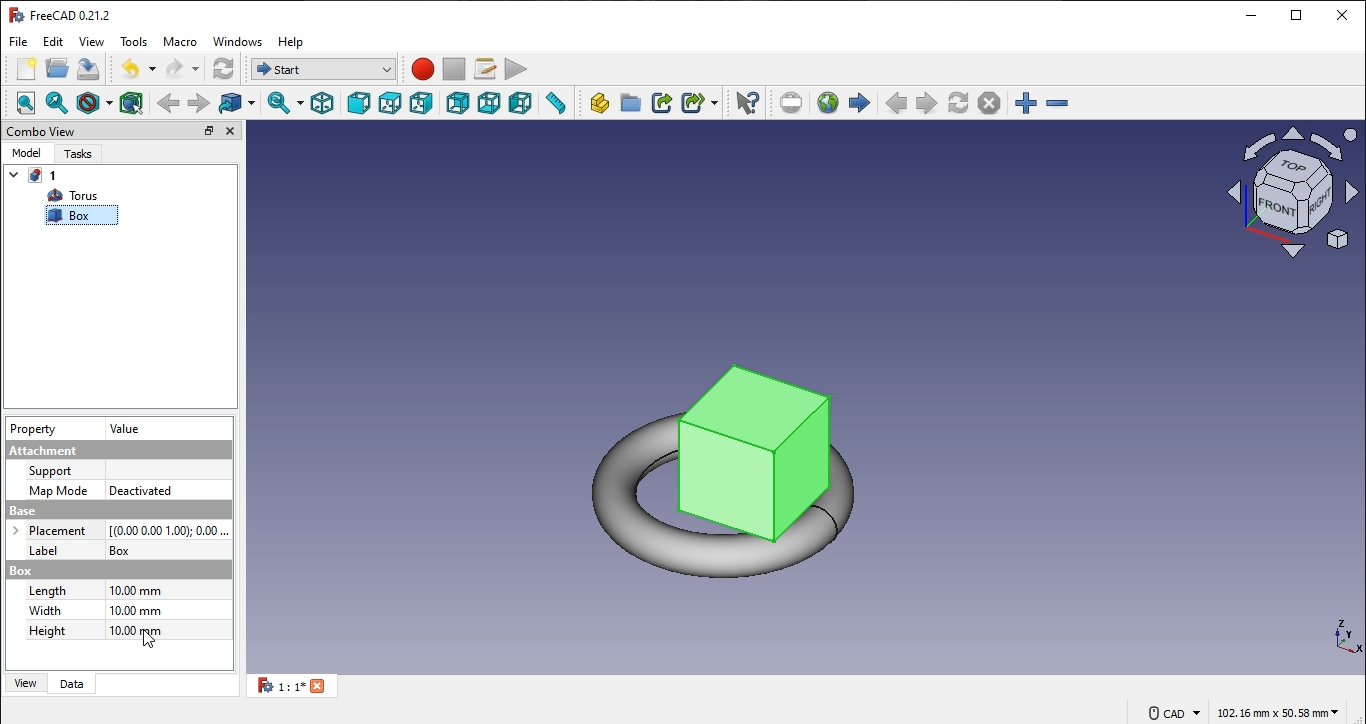 The height and width of the screenshot is (724, 1366). Describe the element at coordinates (1290, 190) in the screenshot. I see `icon` at that location.